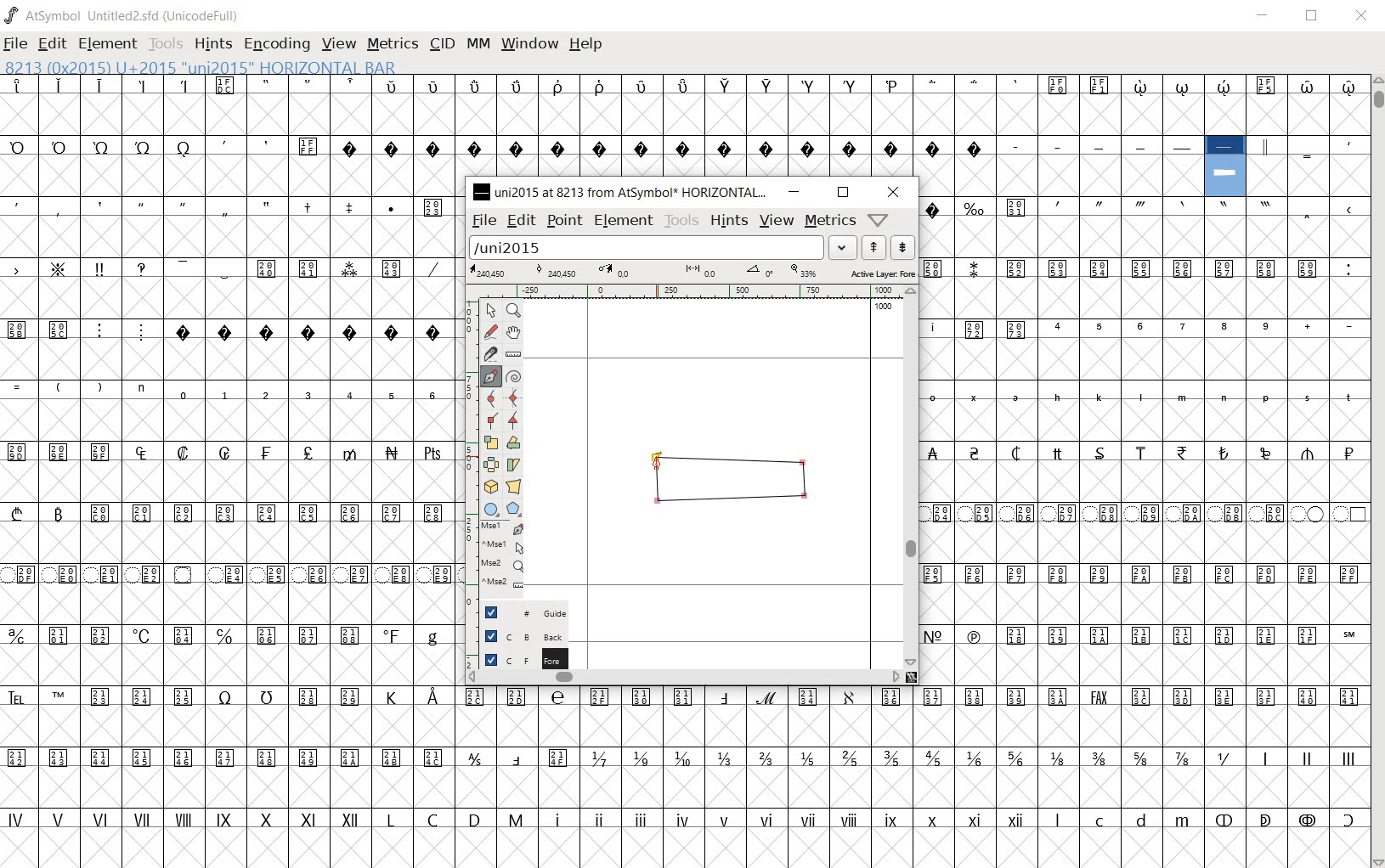 The image size is (1385, 868). Describe the element at coordinates (490, 398) in the screenshot. I see `add a curve point` at that location.